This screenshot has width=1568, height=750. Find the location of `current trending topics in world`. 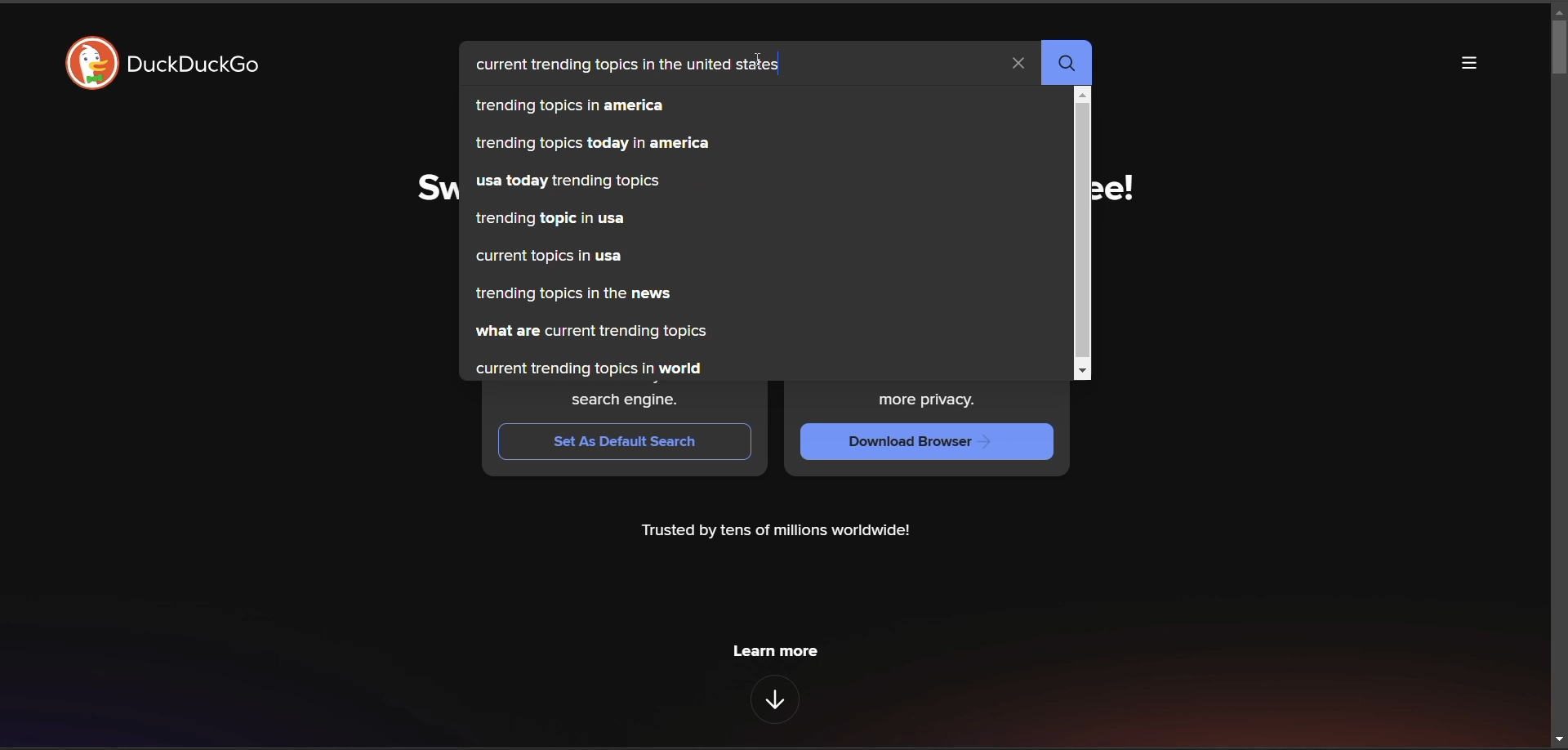

current trending topics in world is located at coordinates (601, 369).